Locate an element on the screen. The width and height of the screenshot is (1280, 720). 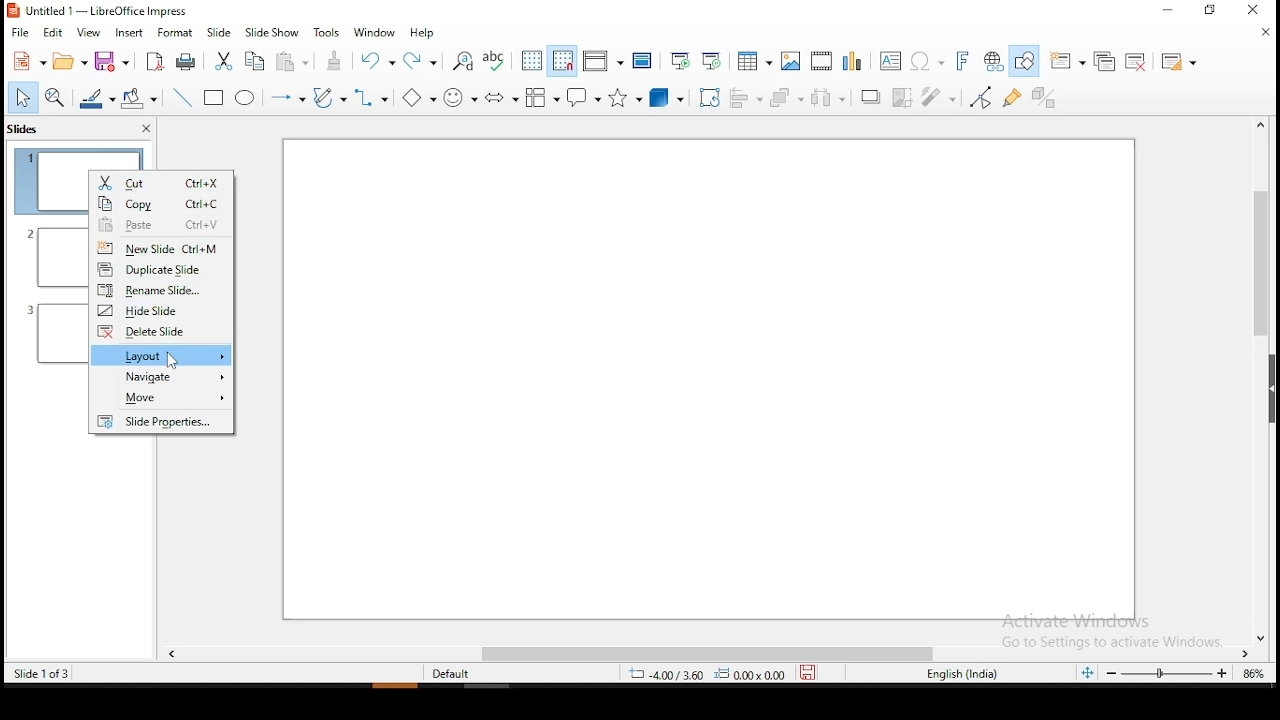
close is located at coordinates (1265, 36).